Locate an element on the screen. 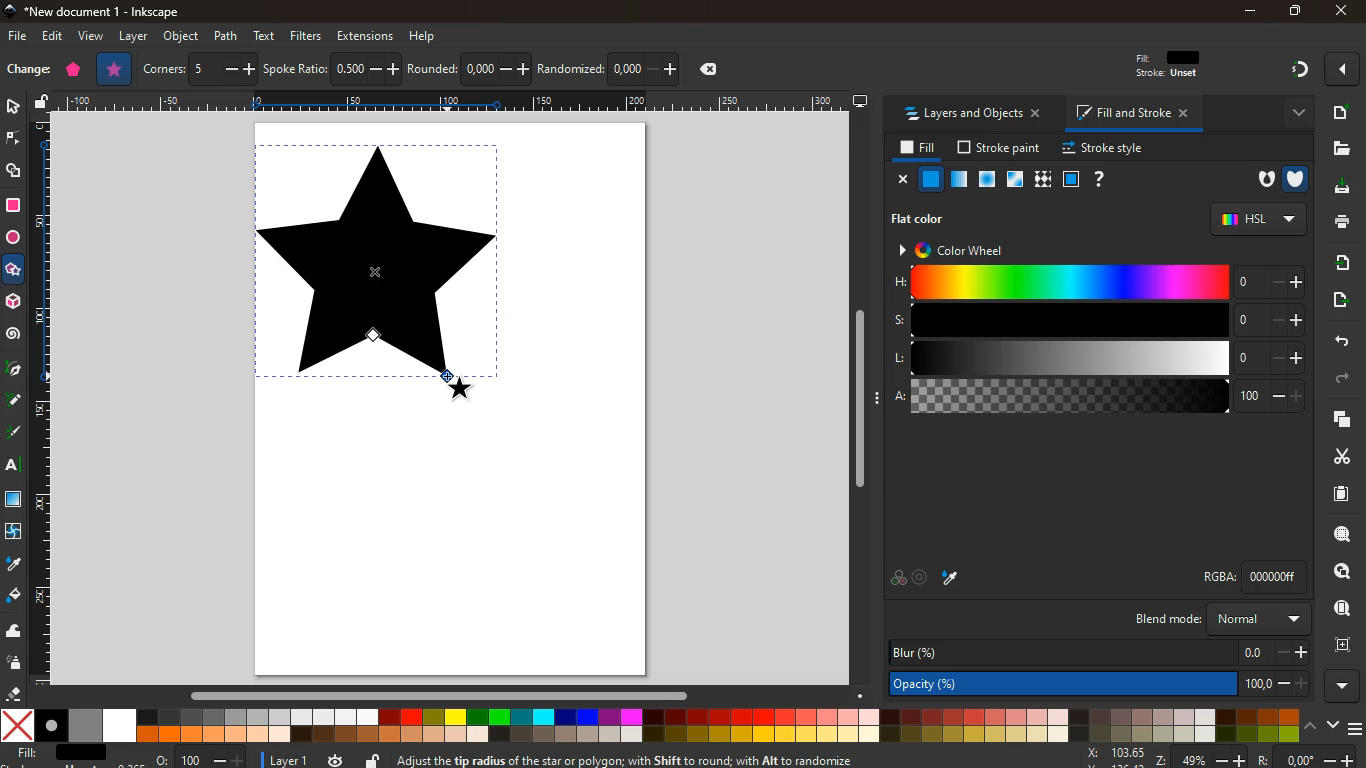  square is located at coordinates (13, 501).